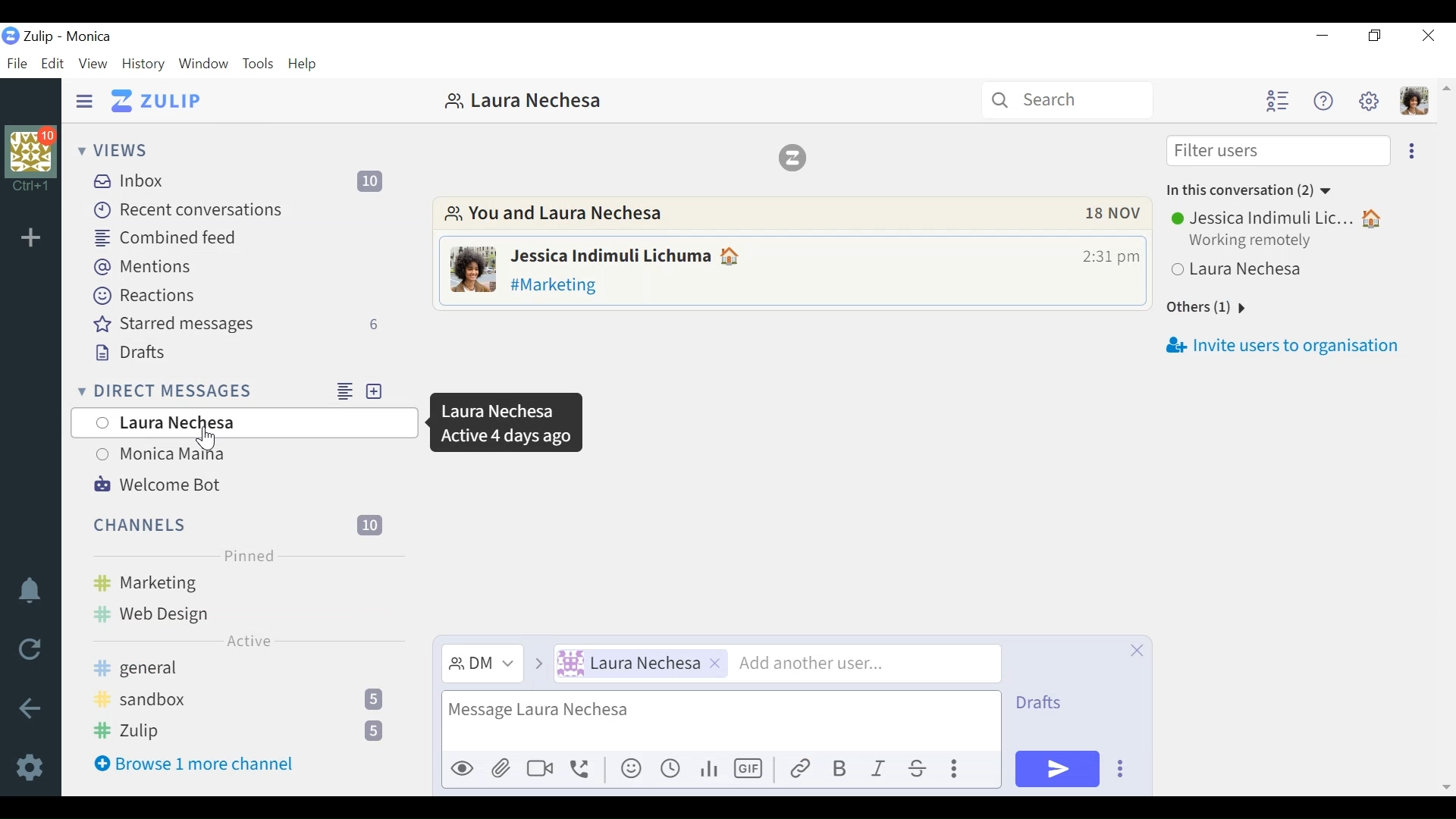 Image resolution: width=1456 pixels, height=819 pixels. I want to click on message, so click(821, 284).